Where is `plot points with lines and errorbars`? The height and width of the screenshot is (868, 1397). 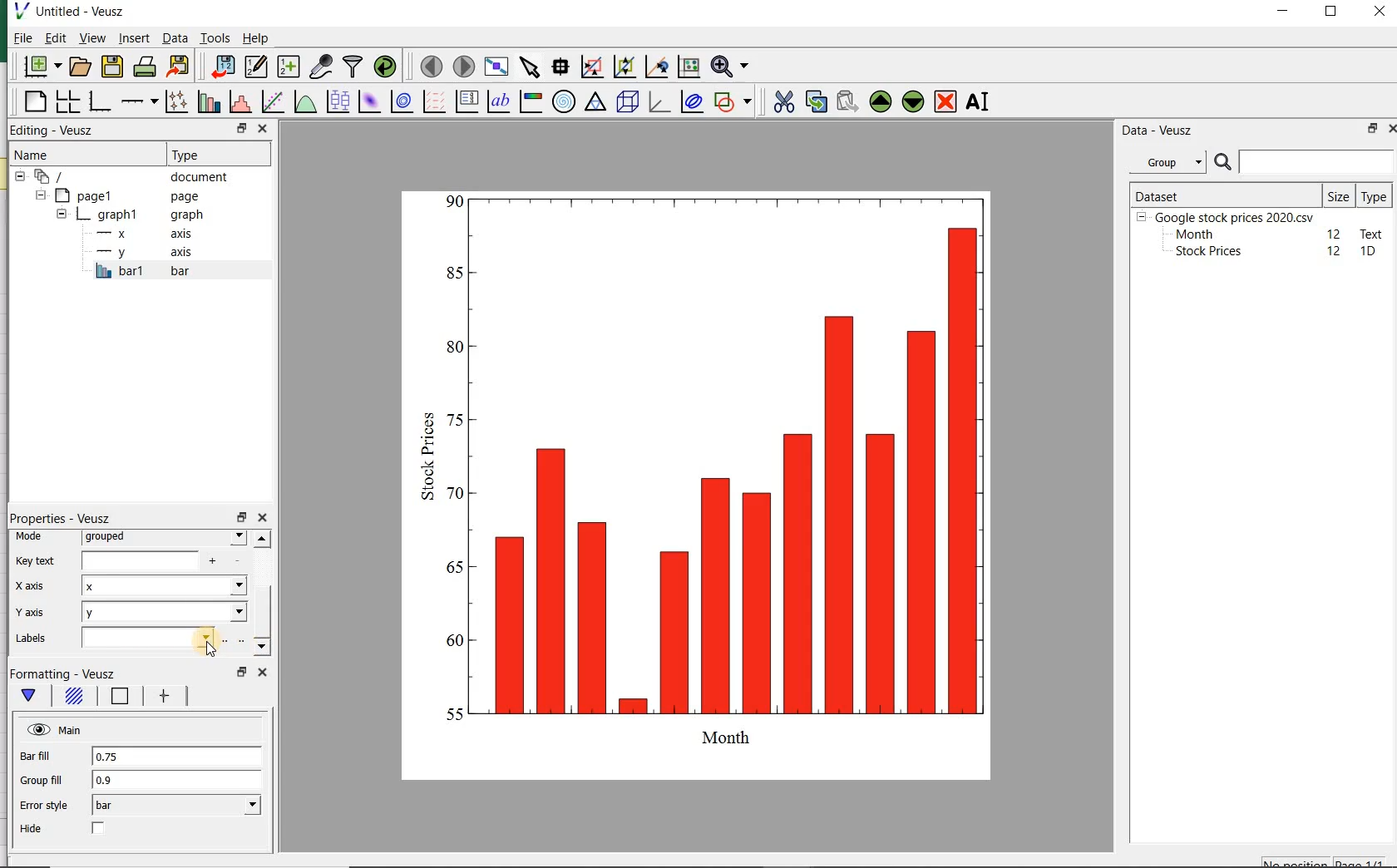 plot points with lines and errorbars is located at coordinates (173, 103).